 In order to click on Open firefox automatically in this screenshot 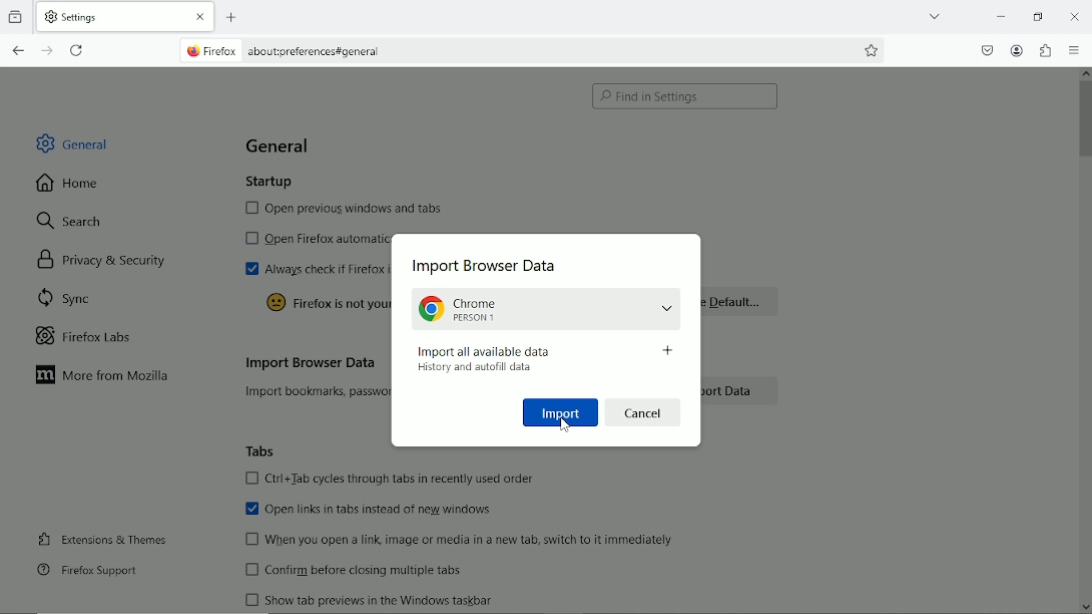, I will do `click(313, 237)`.